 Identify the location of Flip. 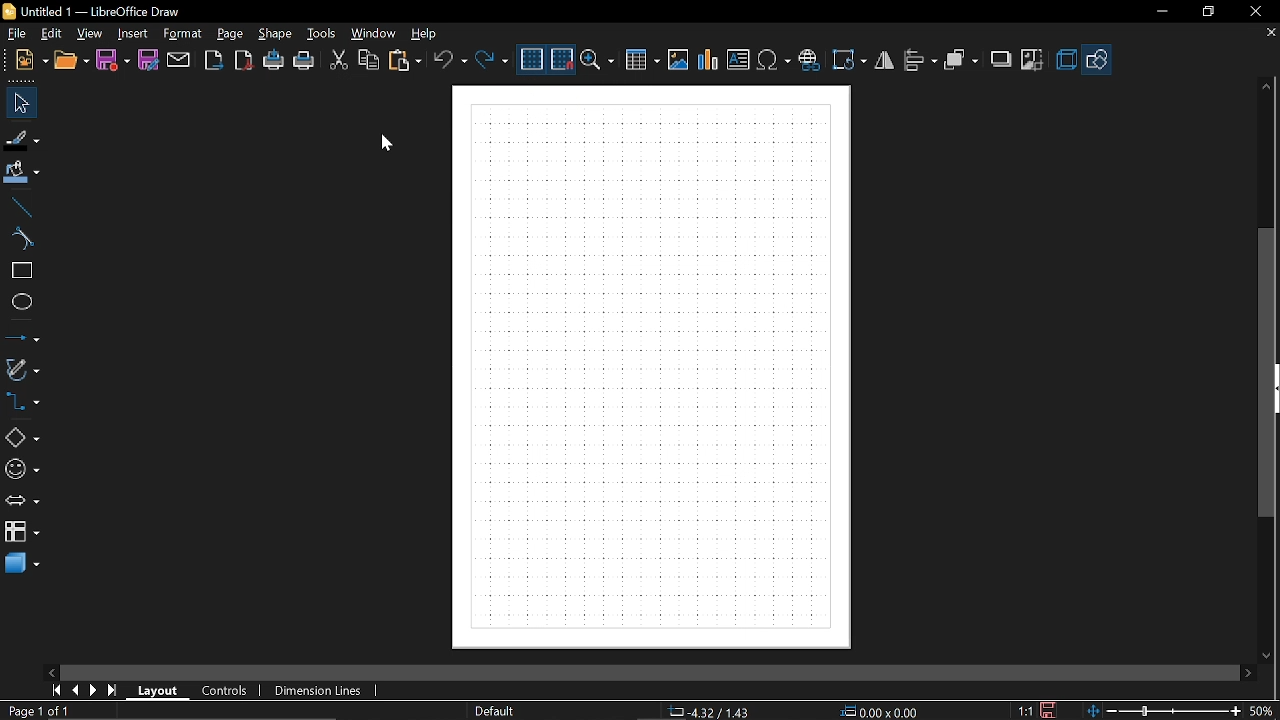
(886, 61).